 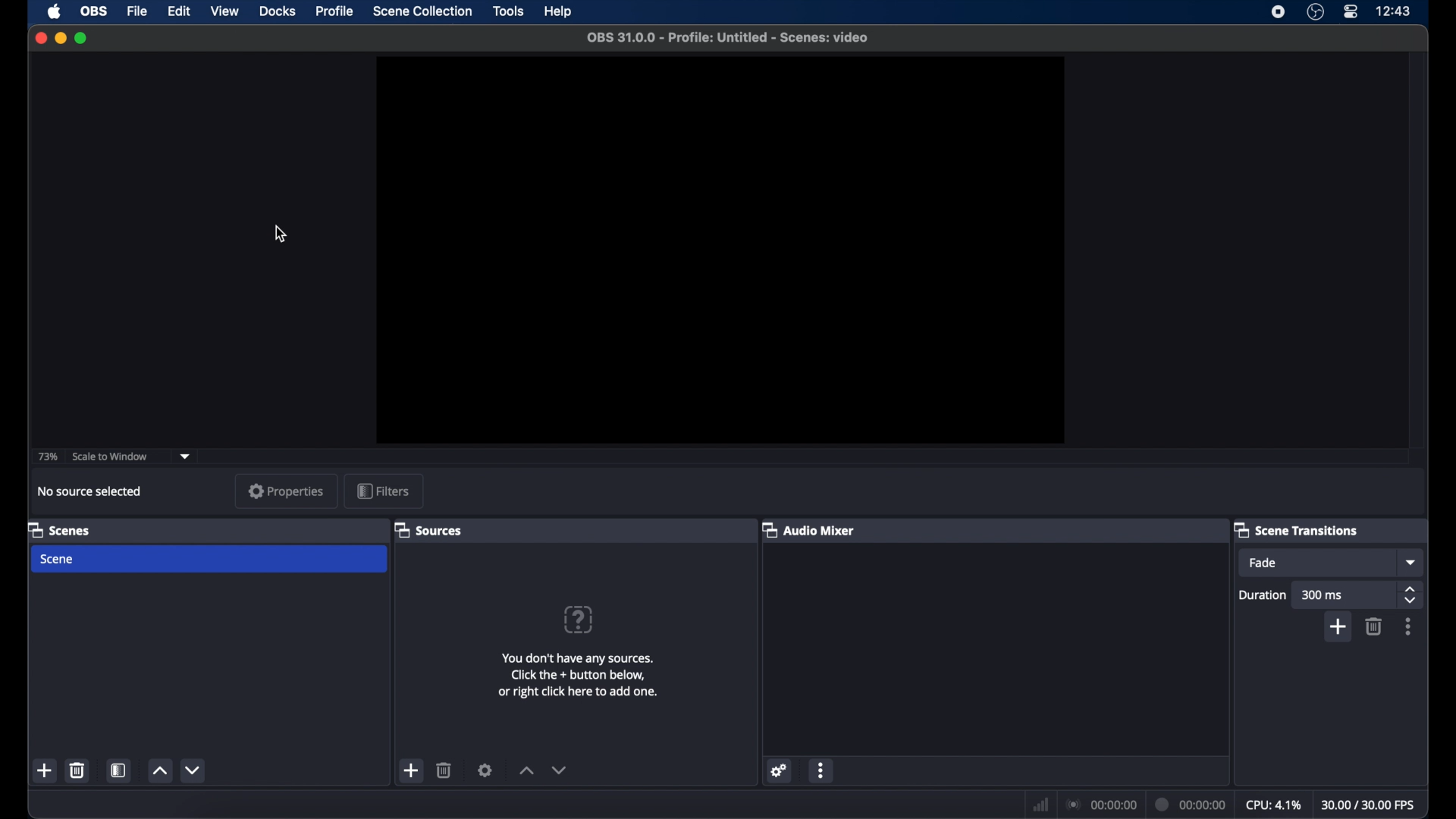 I want to click on scene transitions, so click(x=1303, y=529).